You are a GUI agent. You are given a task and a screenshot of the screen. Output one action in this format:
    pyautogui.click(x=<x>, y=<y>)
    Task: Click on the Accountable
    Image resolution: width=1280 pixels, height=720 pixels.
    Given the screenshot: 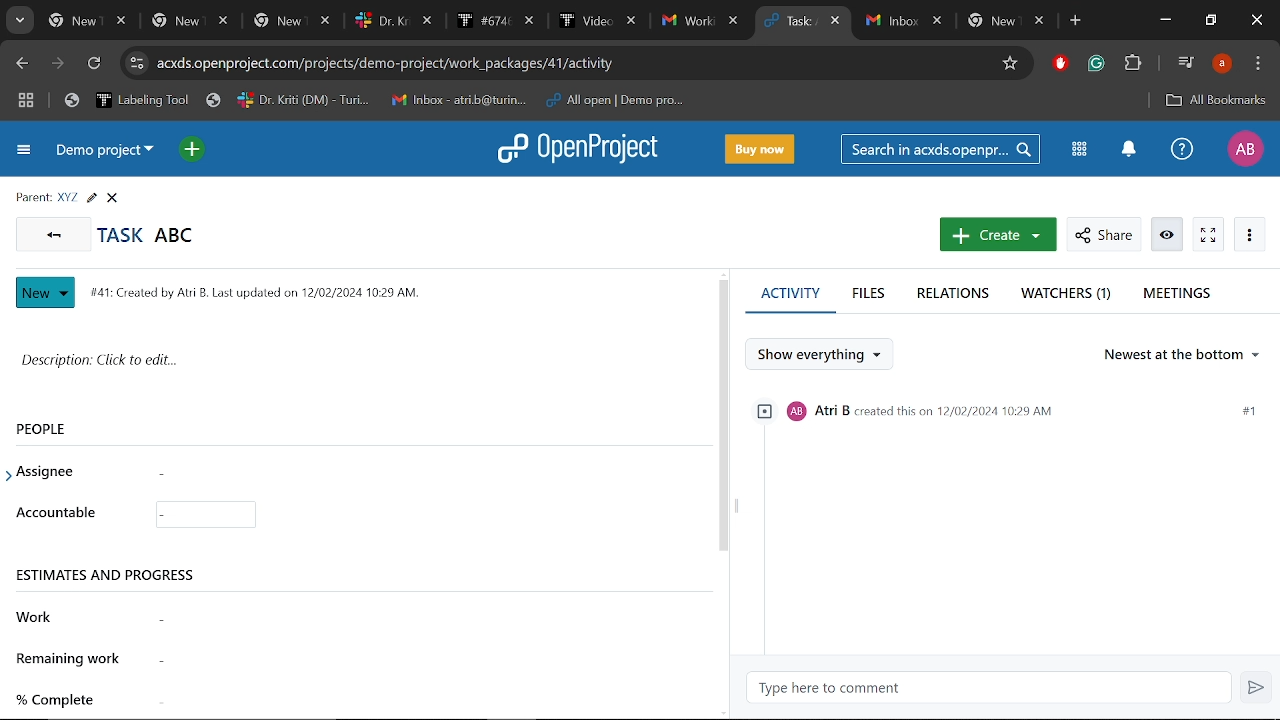 What is the action you would take?
    pyautogui.click(x=322, y=515)
    